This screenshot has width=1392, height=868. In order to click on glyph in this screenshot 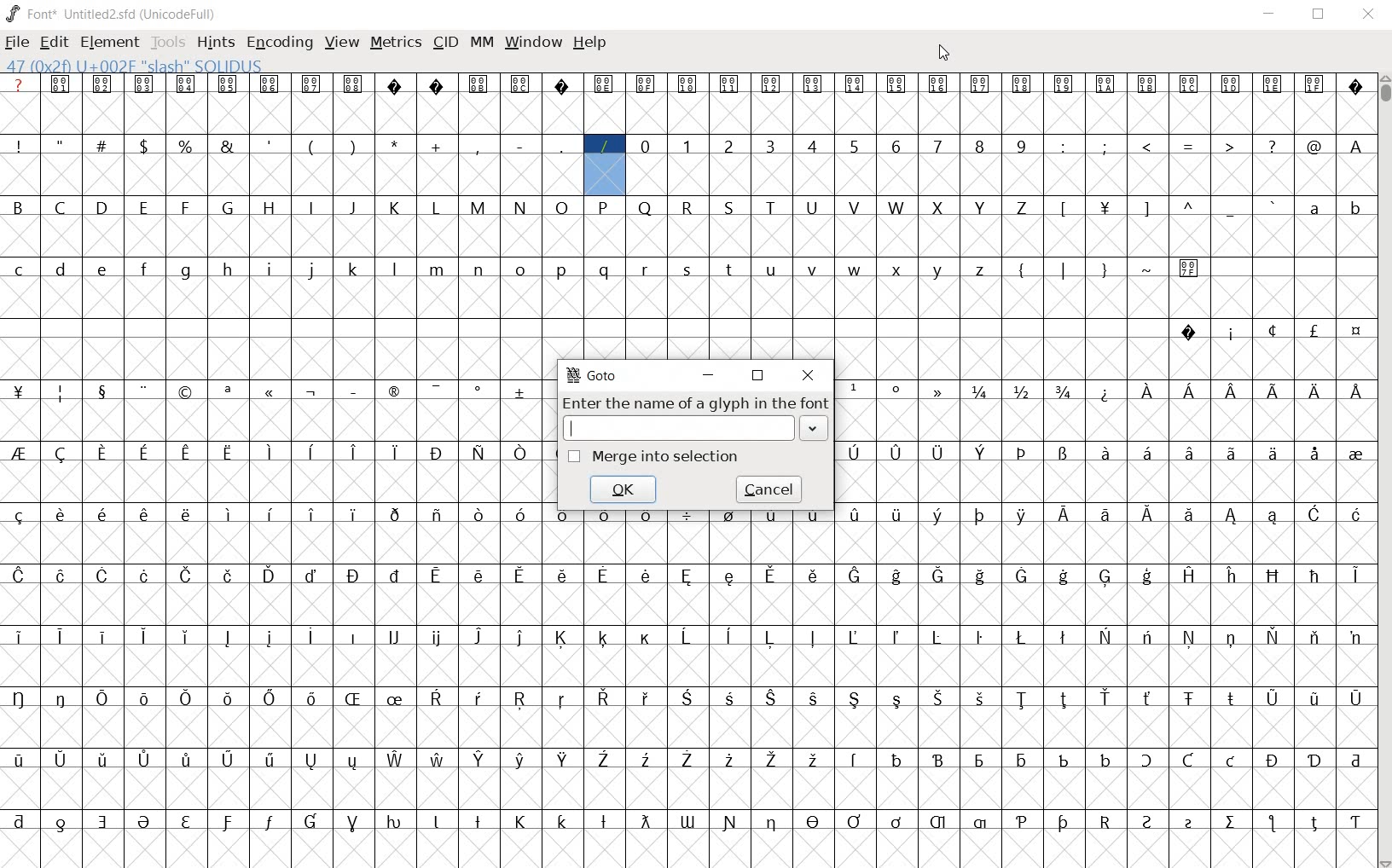, I will do `click(897, 389)`.